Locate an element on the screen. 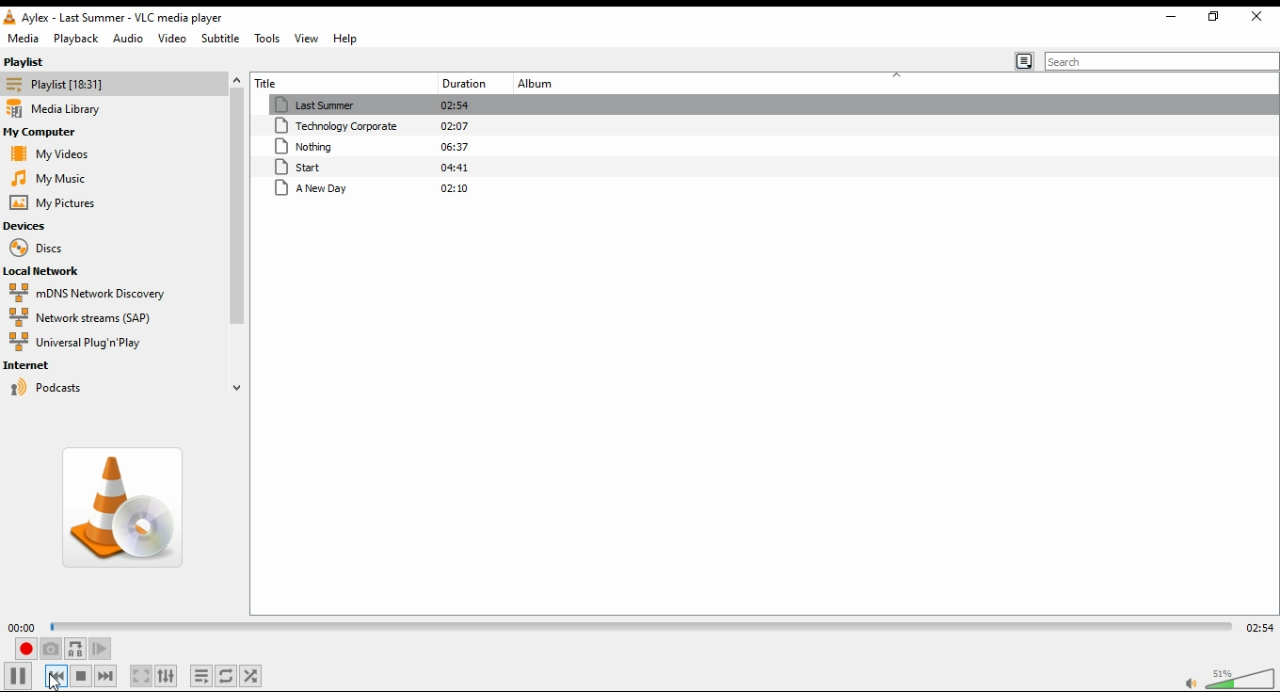 The image size is (1280, 692). scroll bar is located at coordinates (237, 237).